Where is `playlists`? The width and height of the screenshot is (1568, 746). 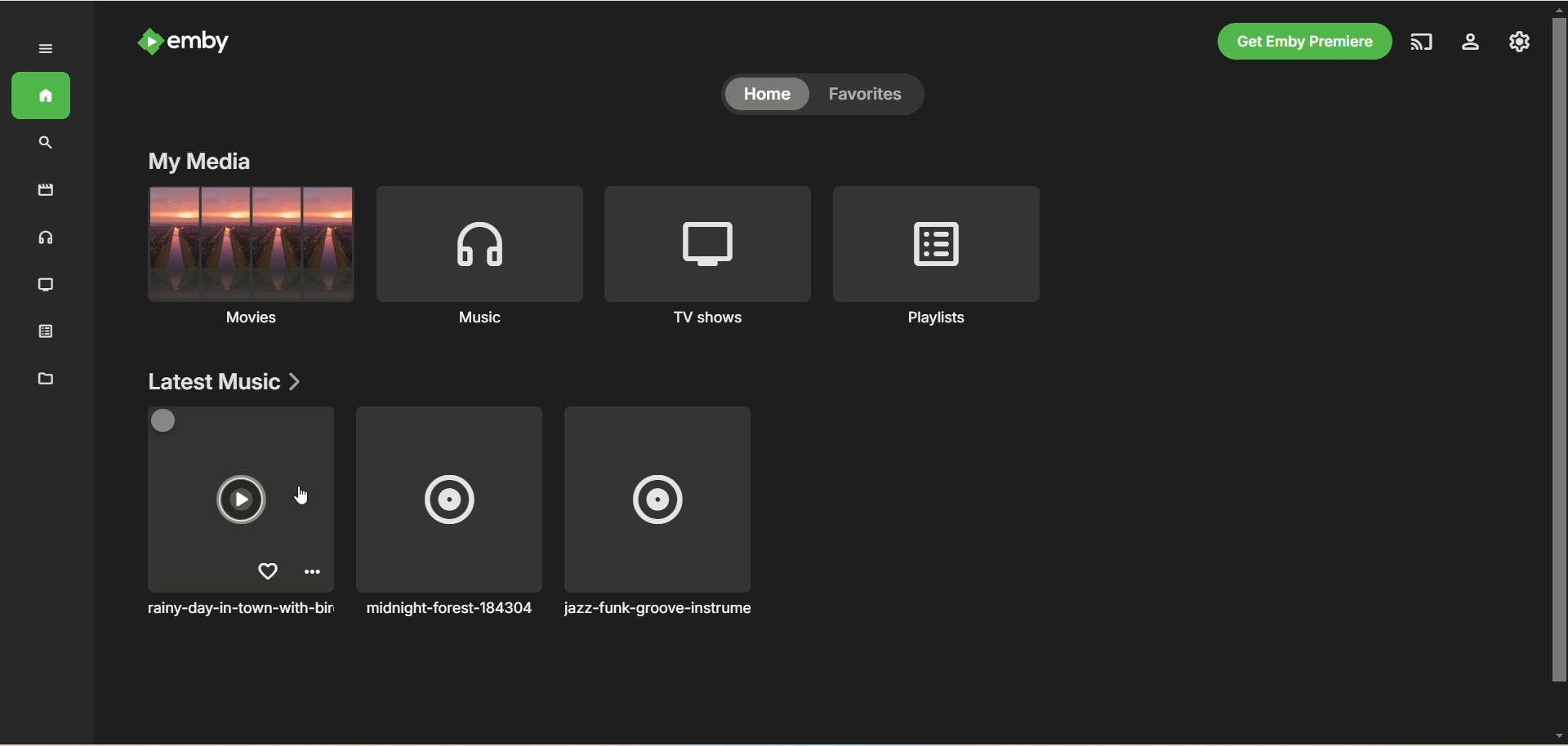
playlists is located at coordinates (942, 255).